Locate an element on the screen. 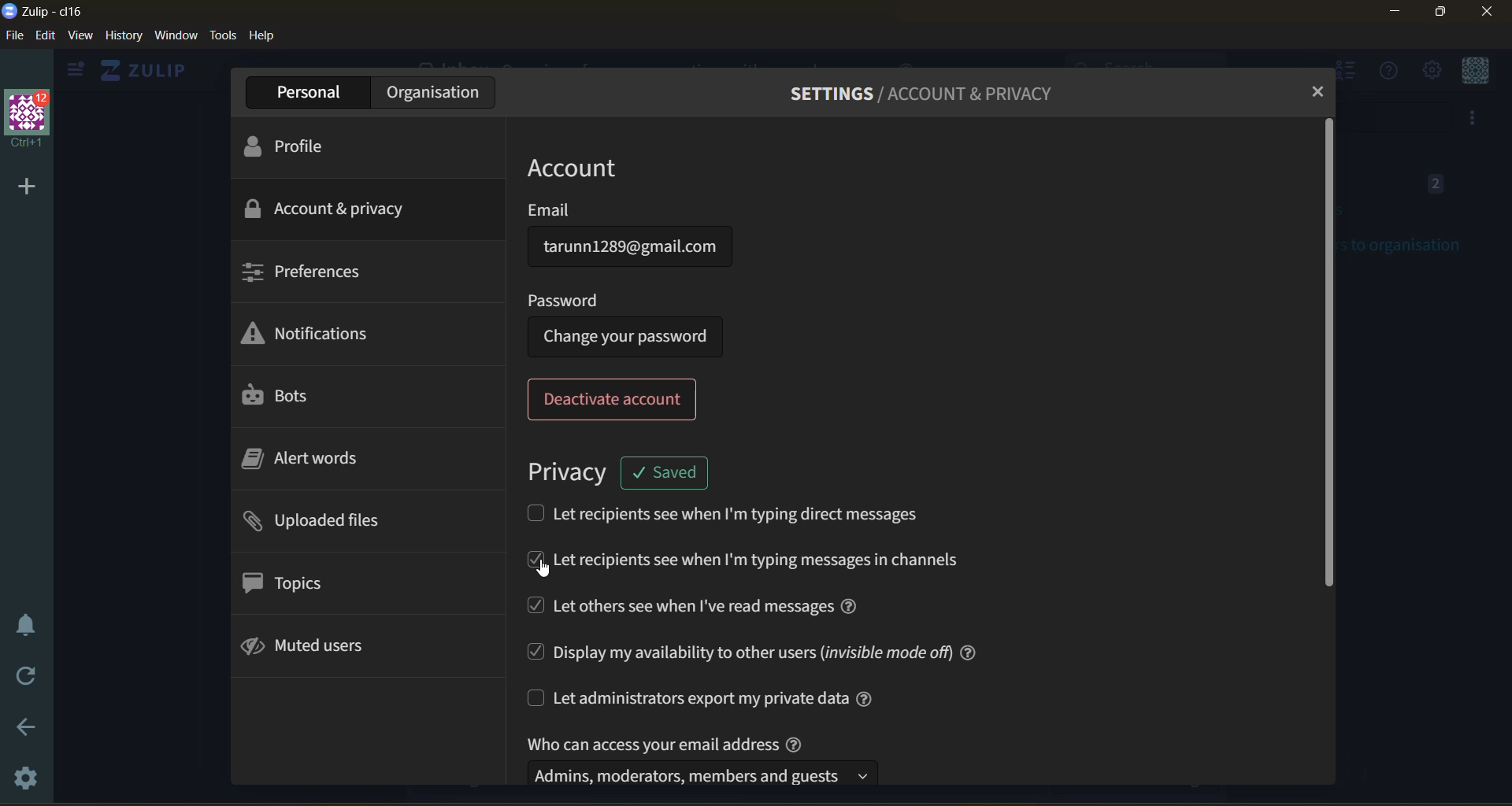 Image resolution: width=1512 pixels, height=806 pixels. help is located at coordinates (262, 36).